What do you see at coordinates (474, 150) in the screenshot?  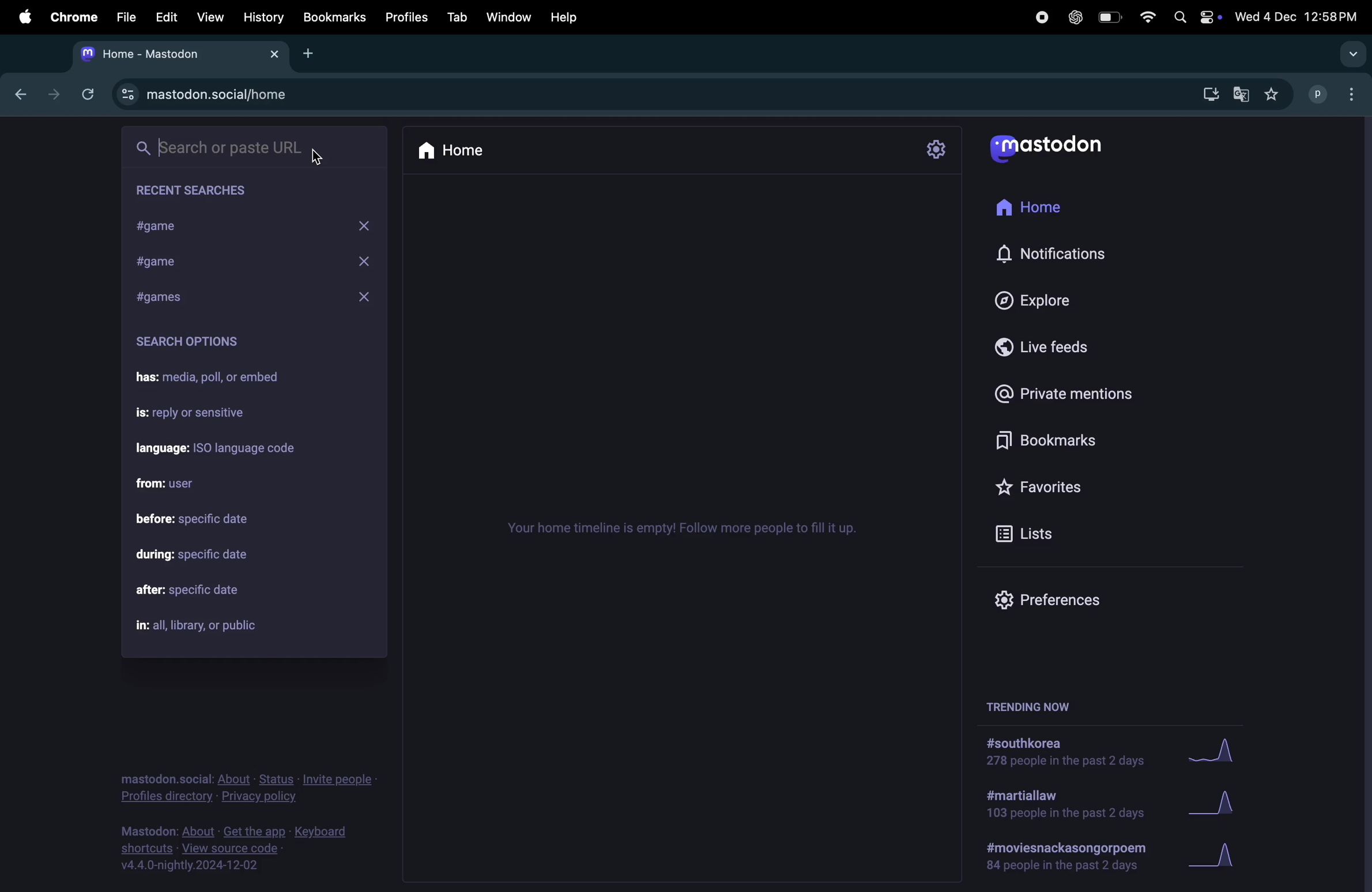 I see `Home` at bounding box center [474, 150].